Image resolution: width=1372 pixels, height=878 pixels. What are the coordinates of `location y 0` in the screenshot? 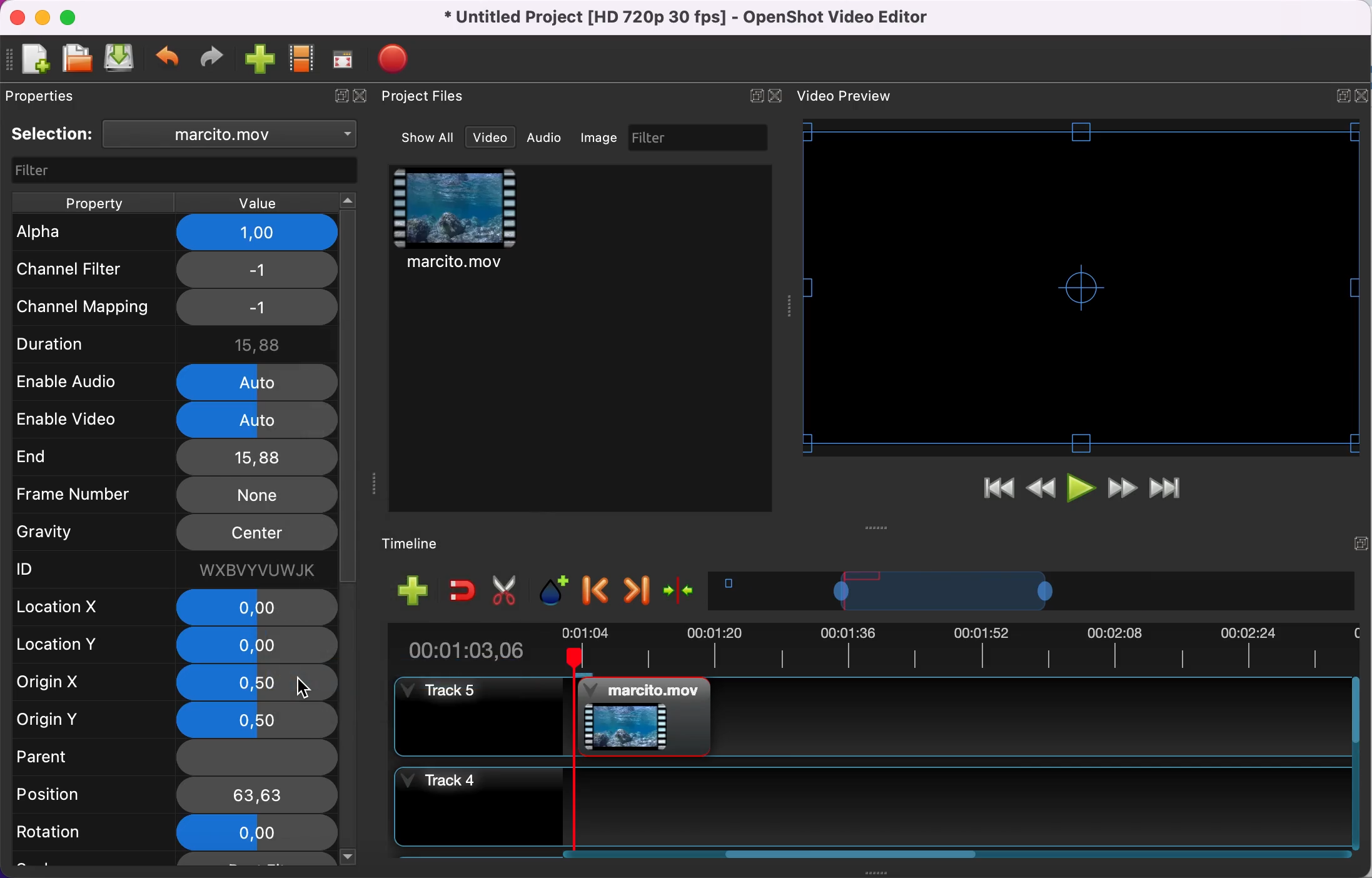 It's located at (171, 647).